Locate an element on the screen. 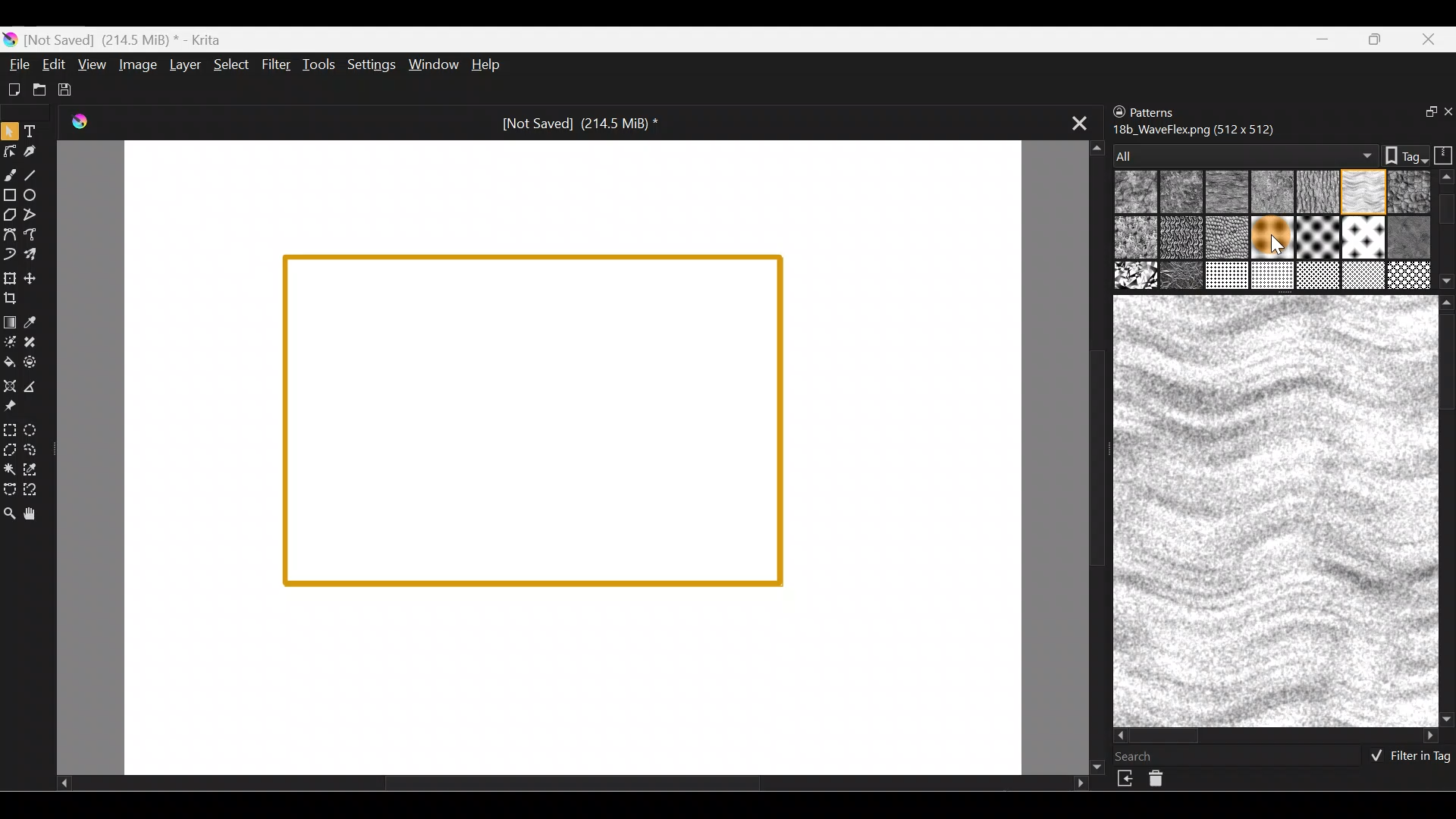 This screenshot has width=1456, height=819. 05 Paper-torchon.png is located at coordinates (1364, 193).